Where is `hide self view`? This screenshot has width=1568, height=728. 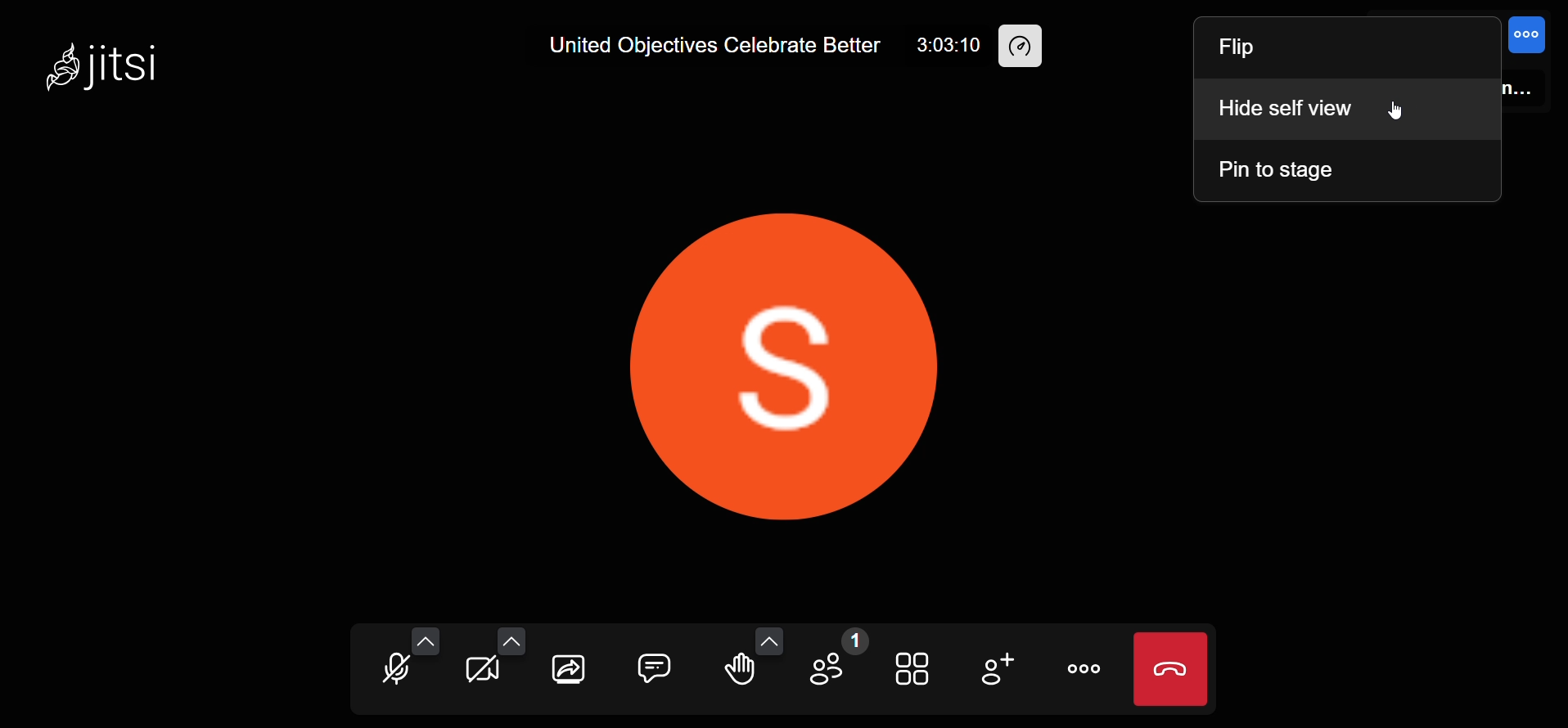
hide self view is located at coordinates (1286, 109).